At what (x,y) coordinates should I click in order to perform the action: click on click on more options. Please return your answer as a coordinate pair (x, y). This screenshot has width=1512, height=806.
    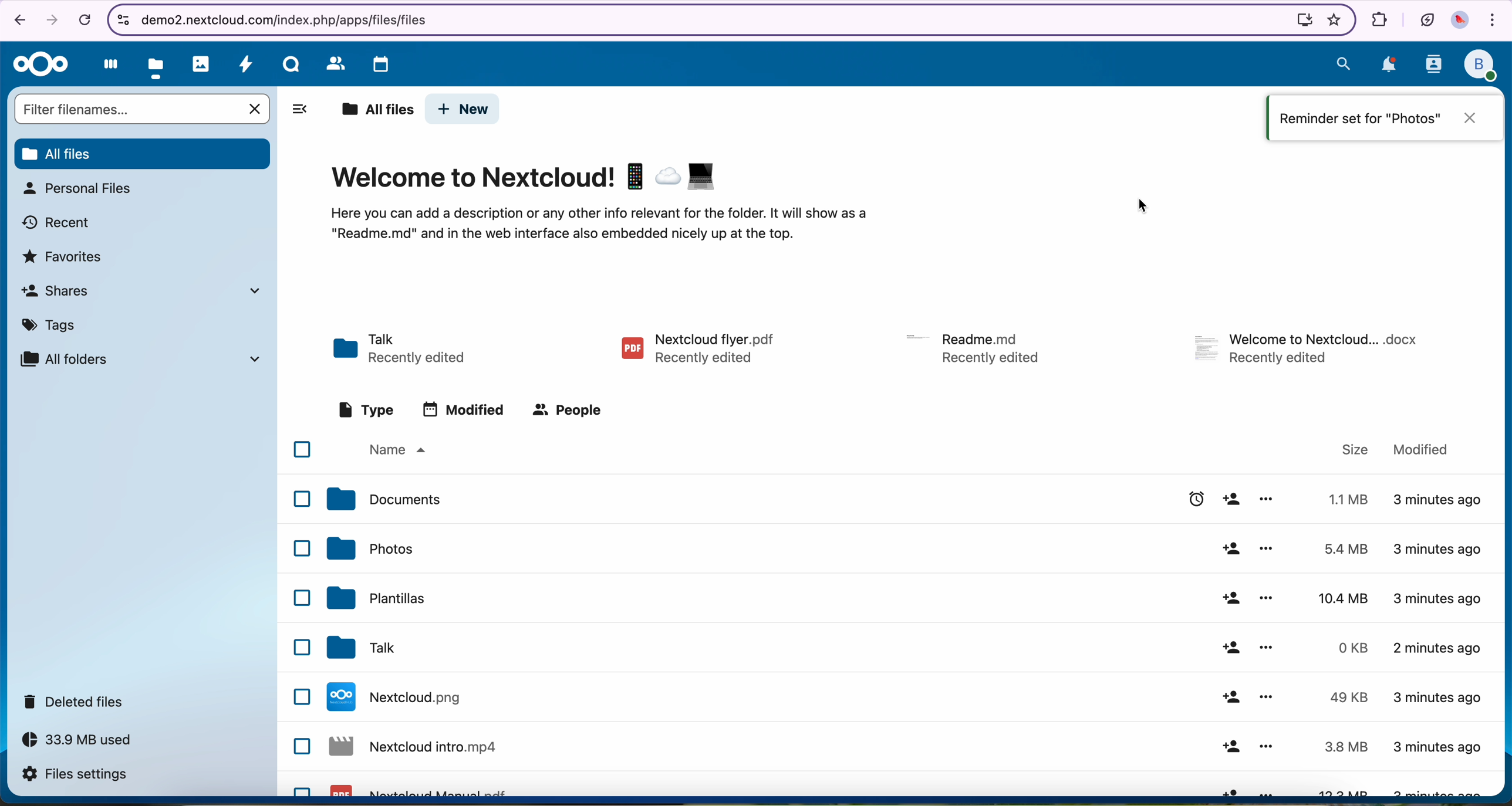
    Looking at the image, I should click on (1270, 550).